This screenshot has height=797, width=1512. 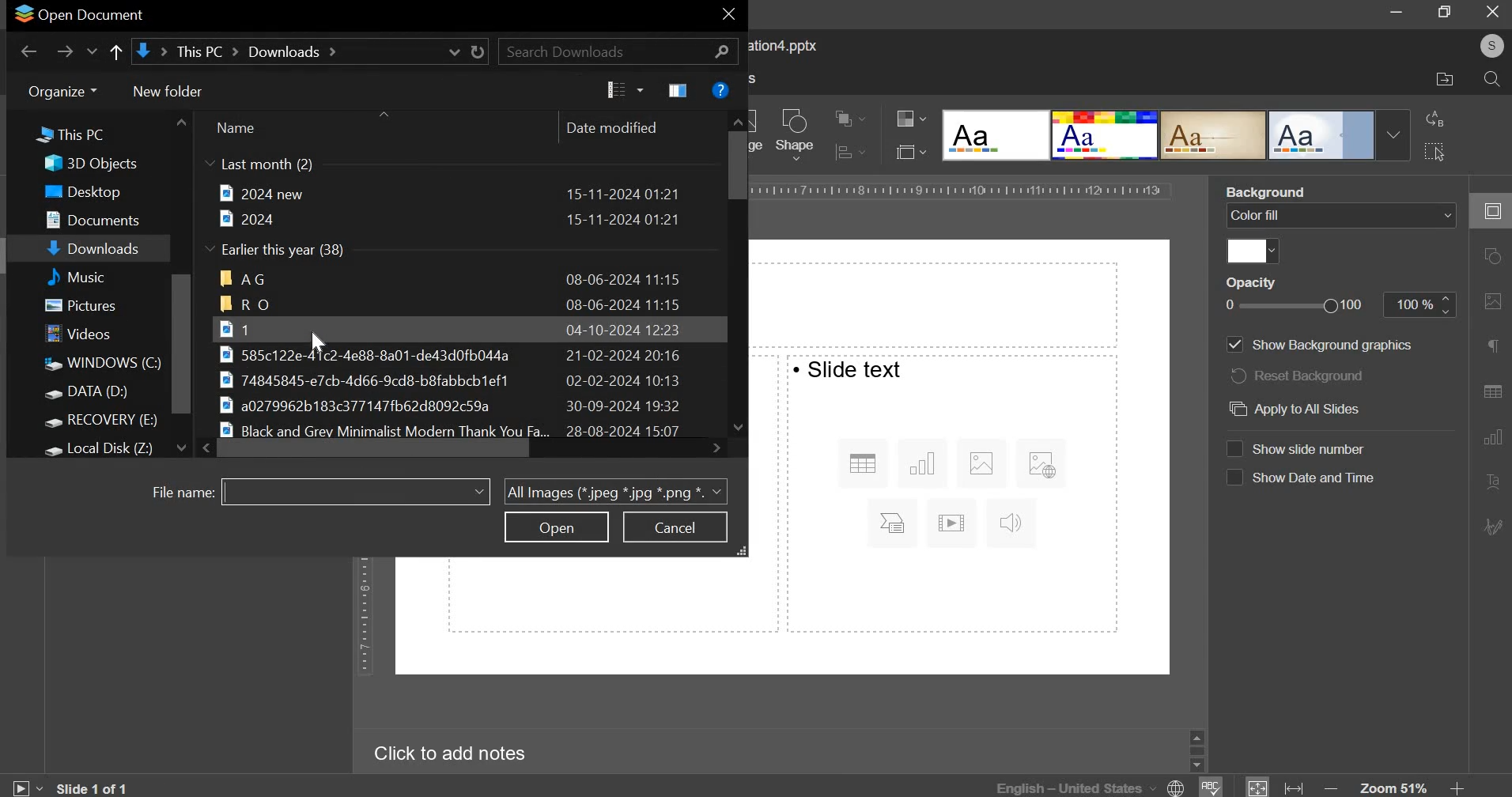 What do you see at coordinates (25, 785) in the screenshot?
I see `slide show` at bounding box center [25, 785].